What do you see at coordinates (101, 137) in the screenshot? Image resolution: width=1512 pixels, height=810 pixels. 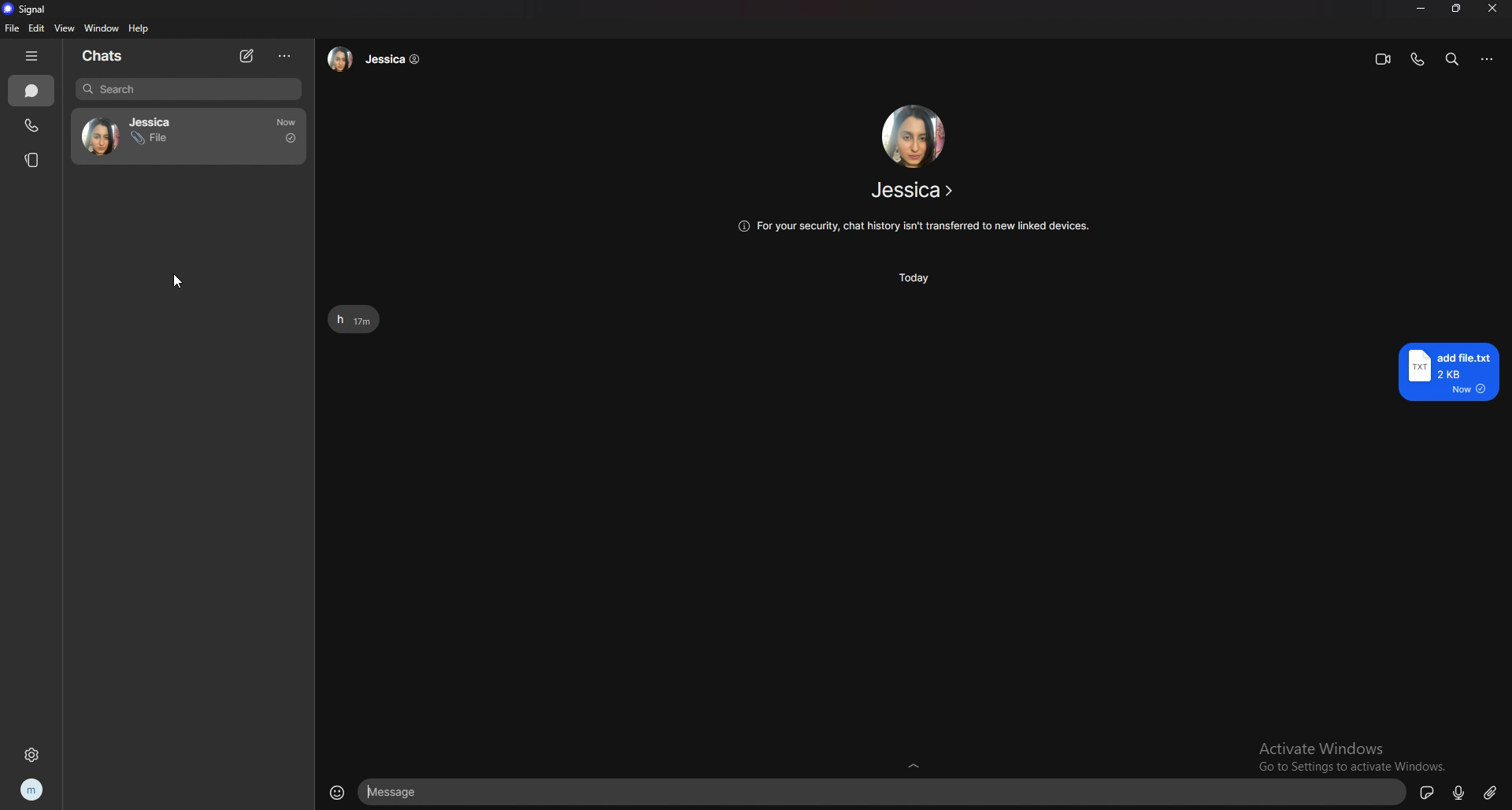 I see `avatar` at bounding box center [101, 137].